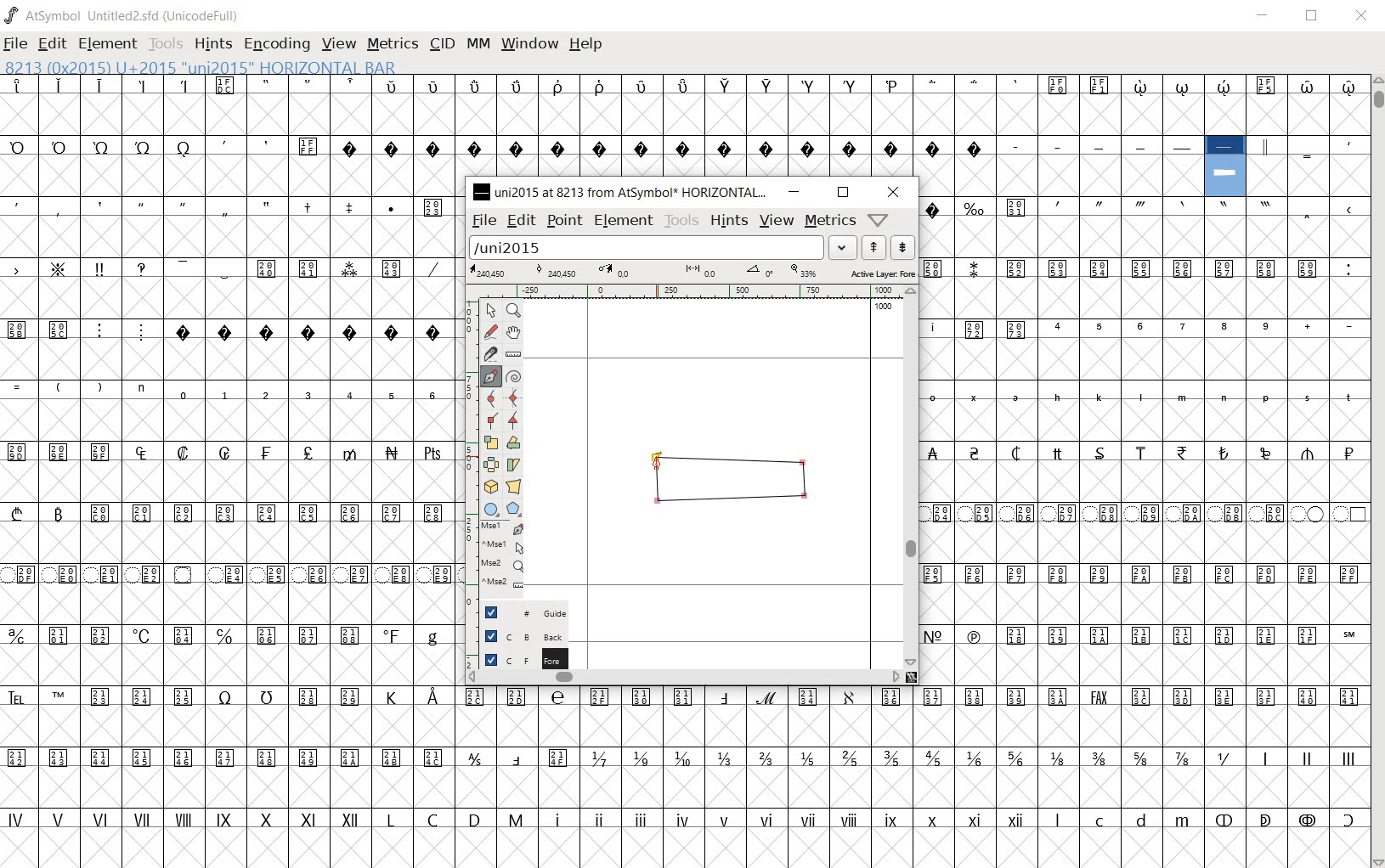 Image resolution: width=1385 pixels, height=868 pixels. What do you see at coordinates (681, 221) in the screenshot?
I see `tools` at bounding box center [681, 221].